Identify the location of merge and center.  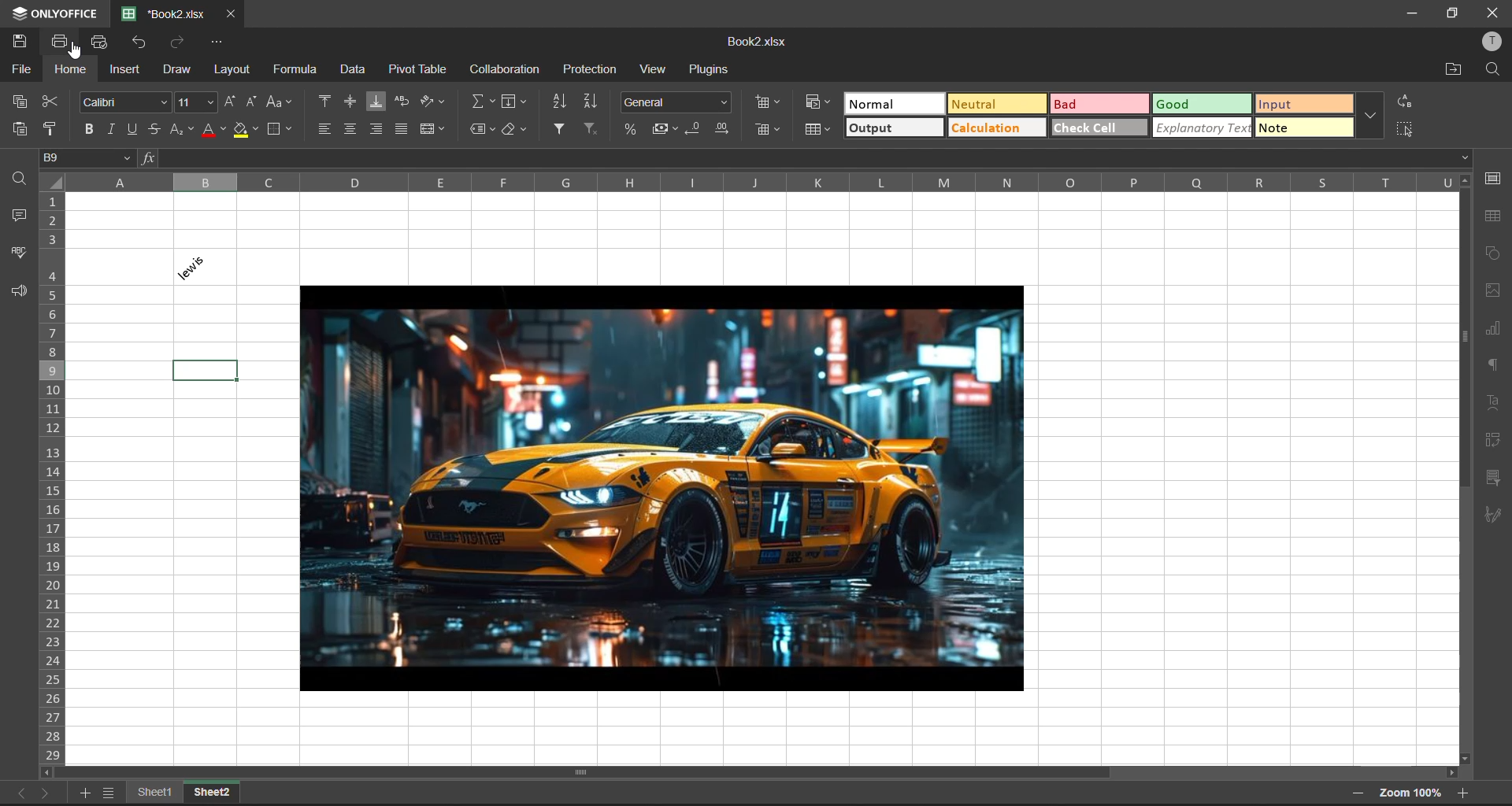
(437, 128).